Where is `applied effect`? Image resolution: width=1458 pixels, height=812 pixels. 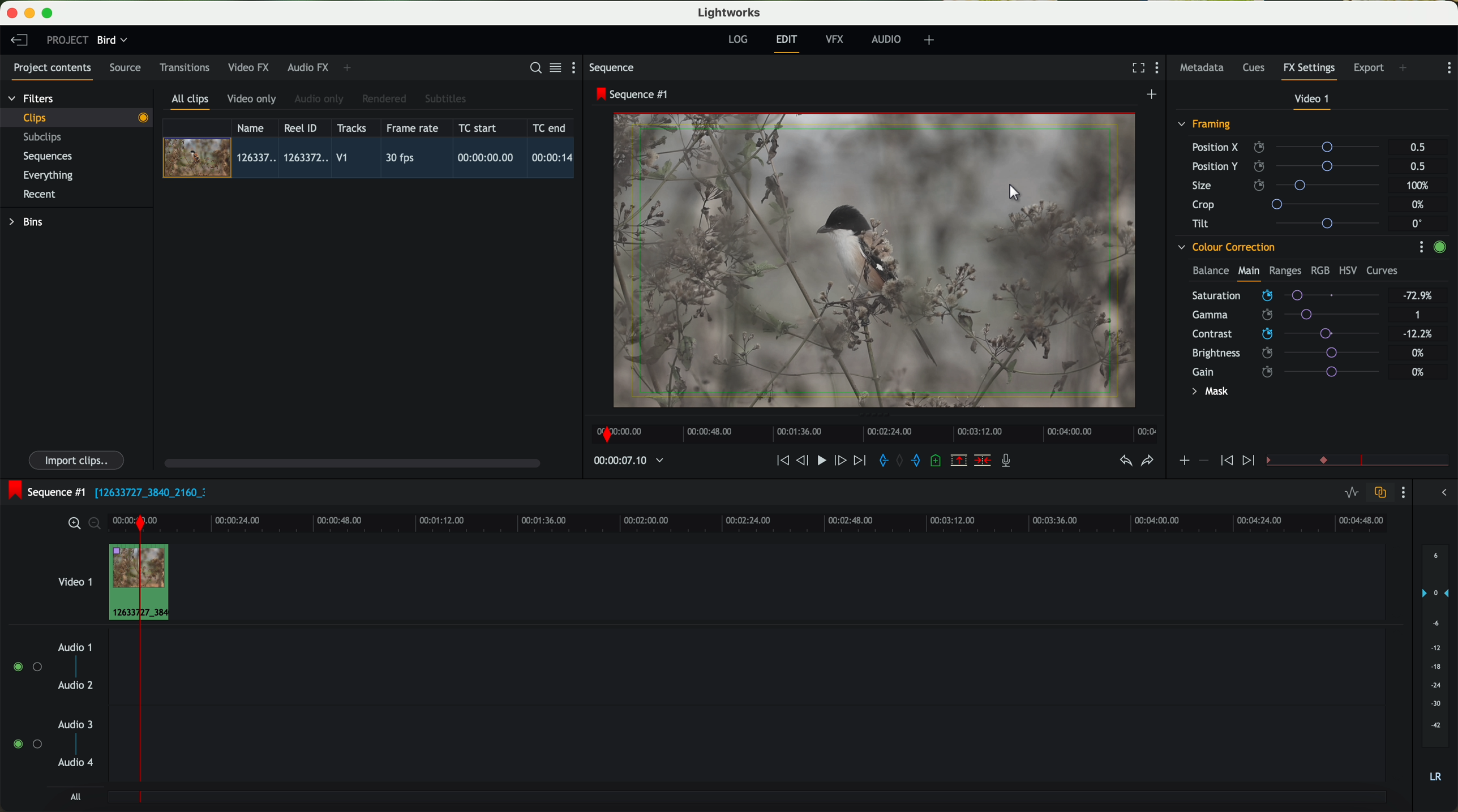
applied effect is located at coordinates (877, 260).